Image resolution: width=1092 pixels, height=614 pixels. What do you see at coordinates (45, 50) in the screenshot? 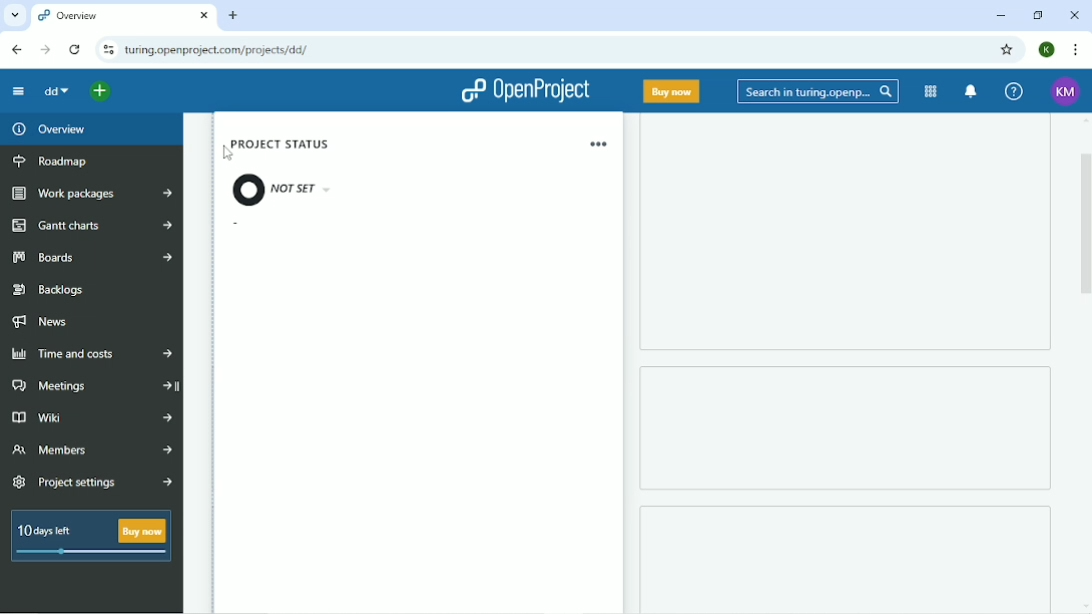
I see `Forward` at bounding box center [45, 50].